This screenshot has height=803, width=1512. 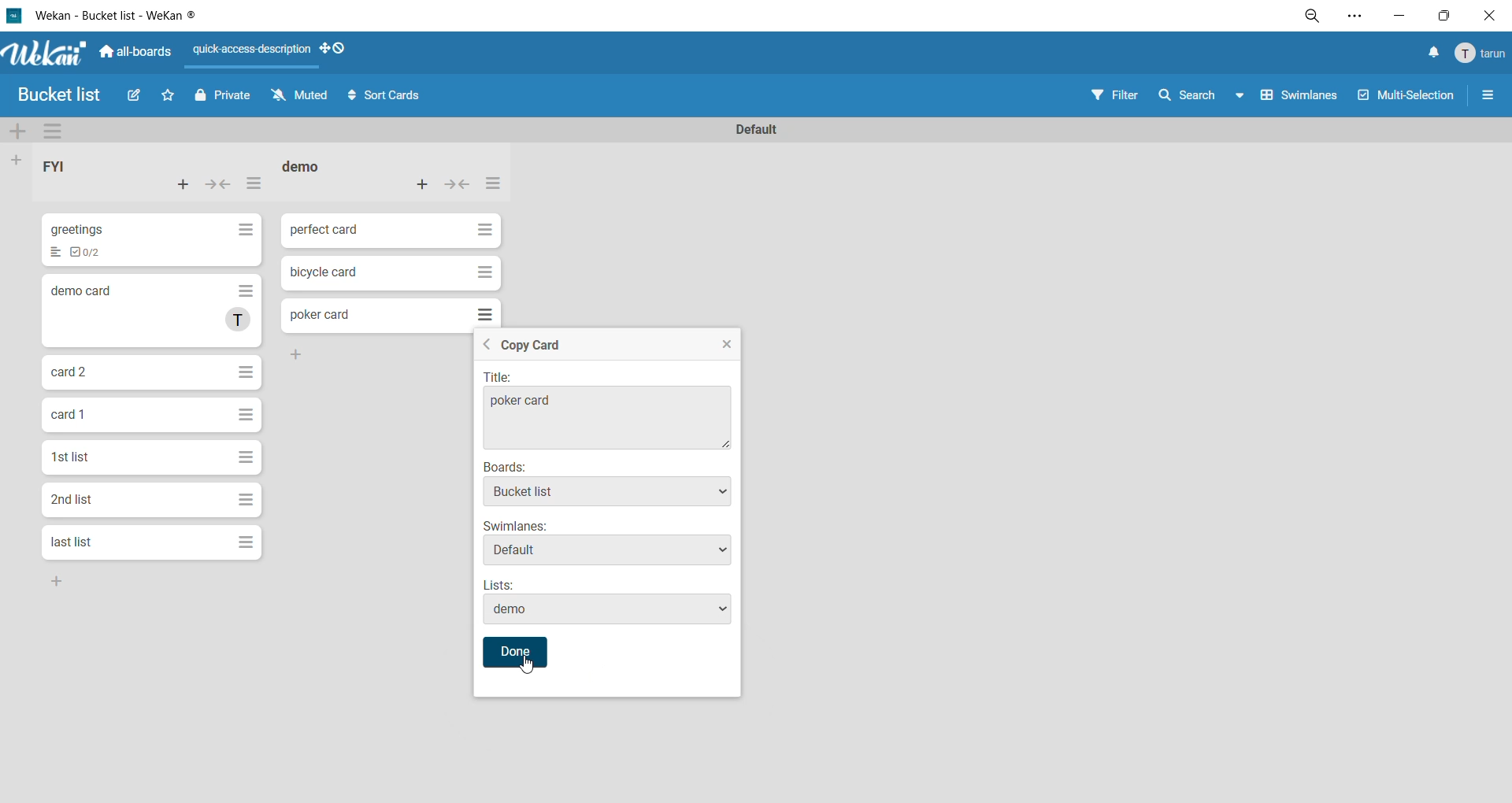 What do you see at coordinates (69, 372) in the screenshot?
I see `card 2` at bounding box center [69, 372].